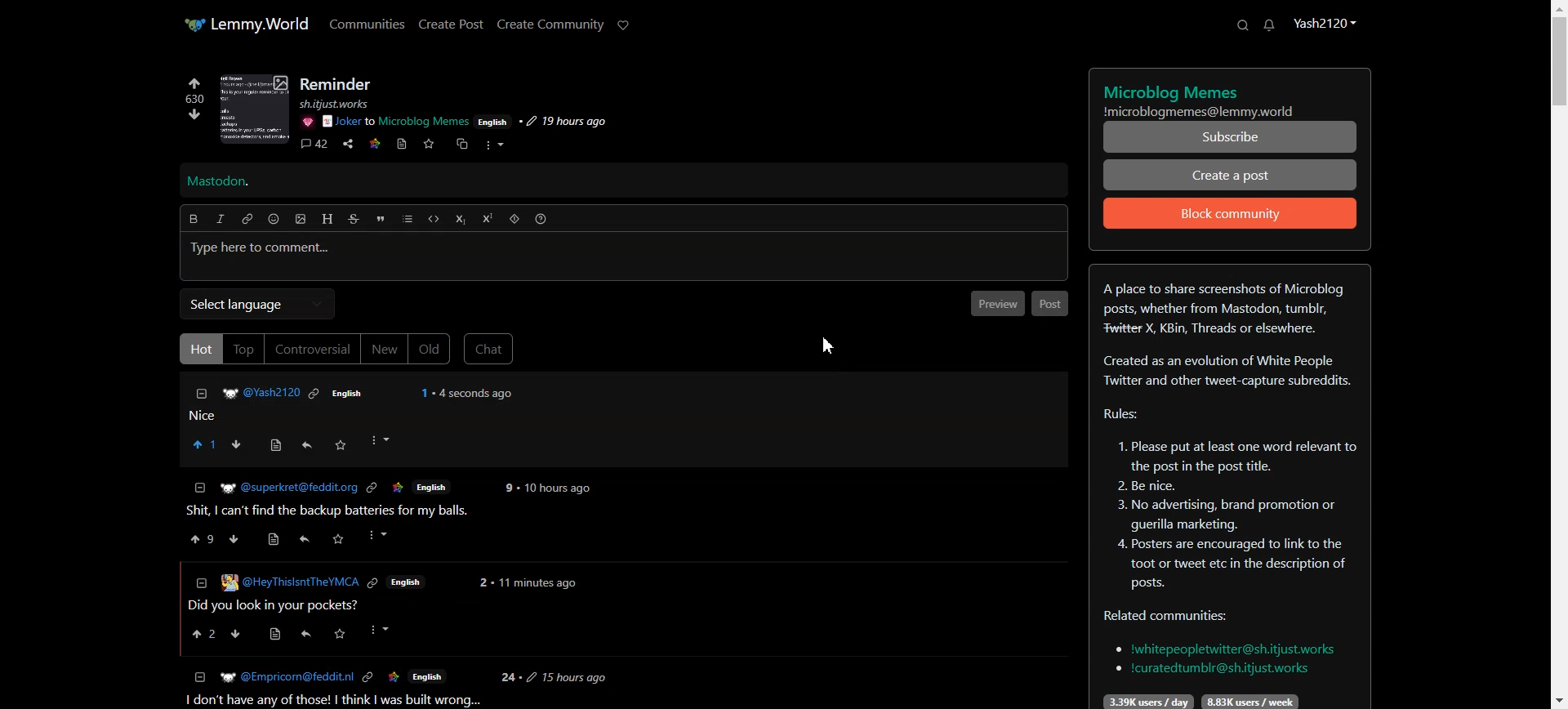 This screenshot has width=1568, height=709. What do you see at coordinates (200, 486) in the screenshot?
I see `®` at bounding box center [200, 486].